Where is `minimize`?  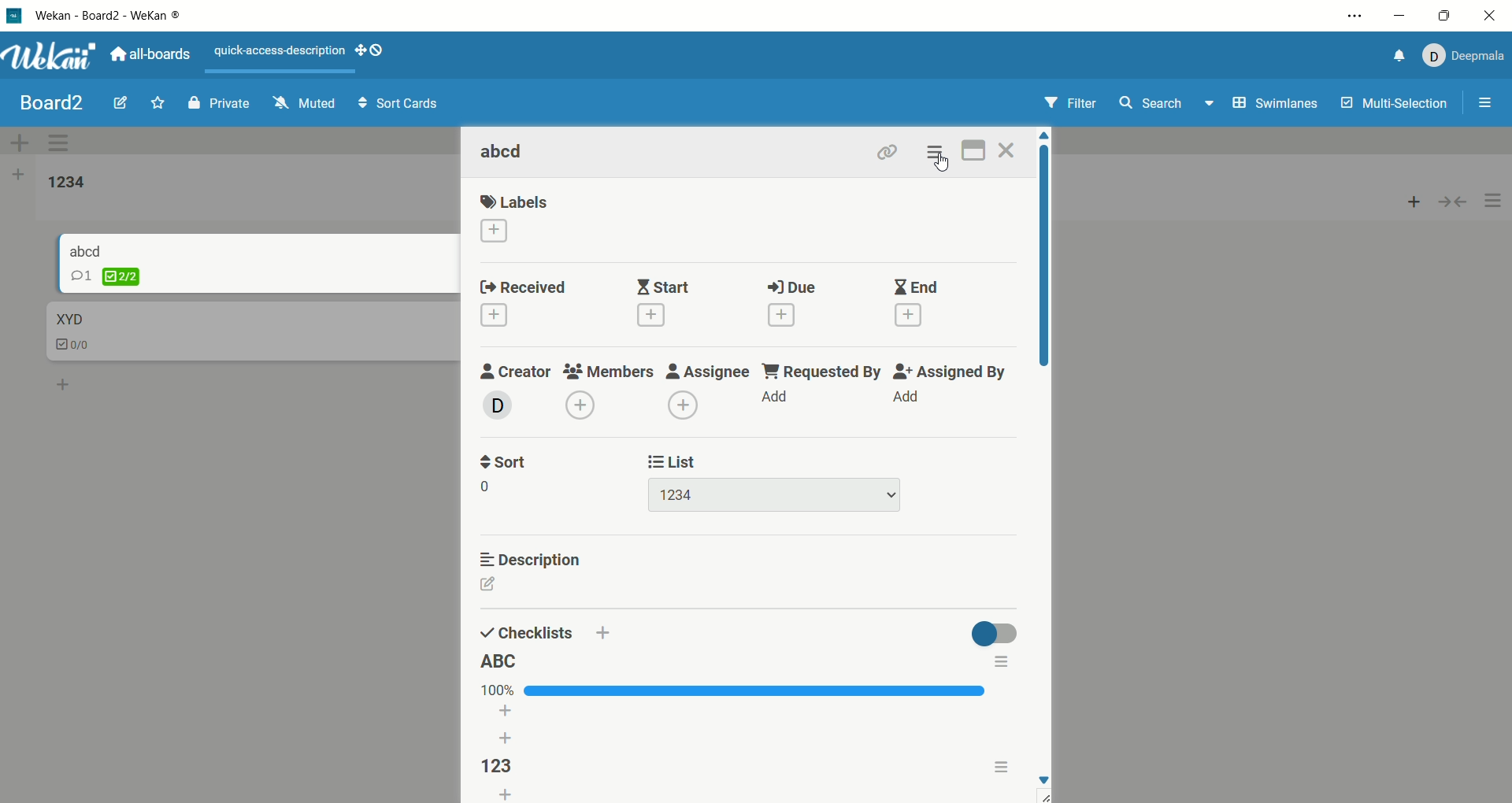 minimize is located at coordinates (1401, 18).